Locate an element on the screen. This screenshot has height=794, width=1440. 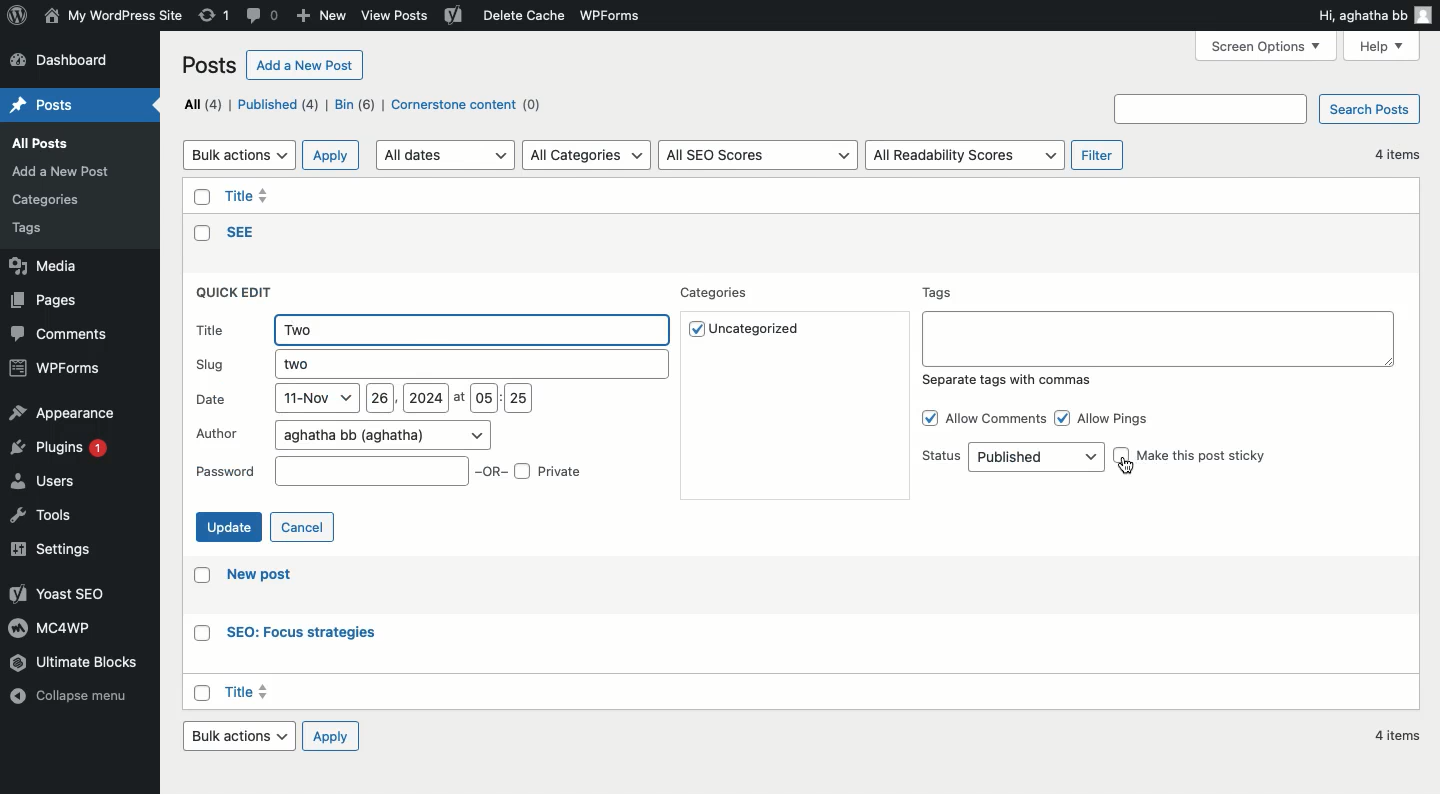
Plugins is located at coordinates (65, 452).